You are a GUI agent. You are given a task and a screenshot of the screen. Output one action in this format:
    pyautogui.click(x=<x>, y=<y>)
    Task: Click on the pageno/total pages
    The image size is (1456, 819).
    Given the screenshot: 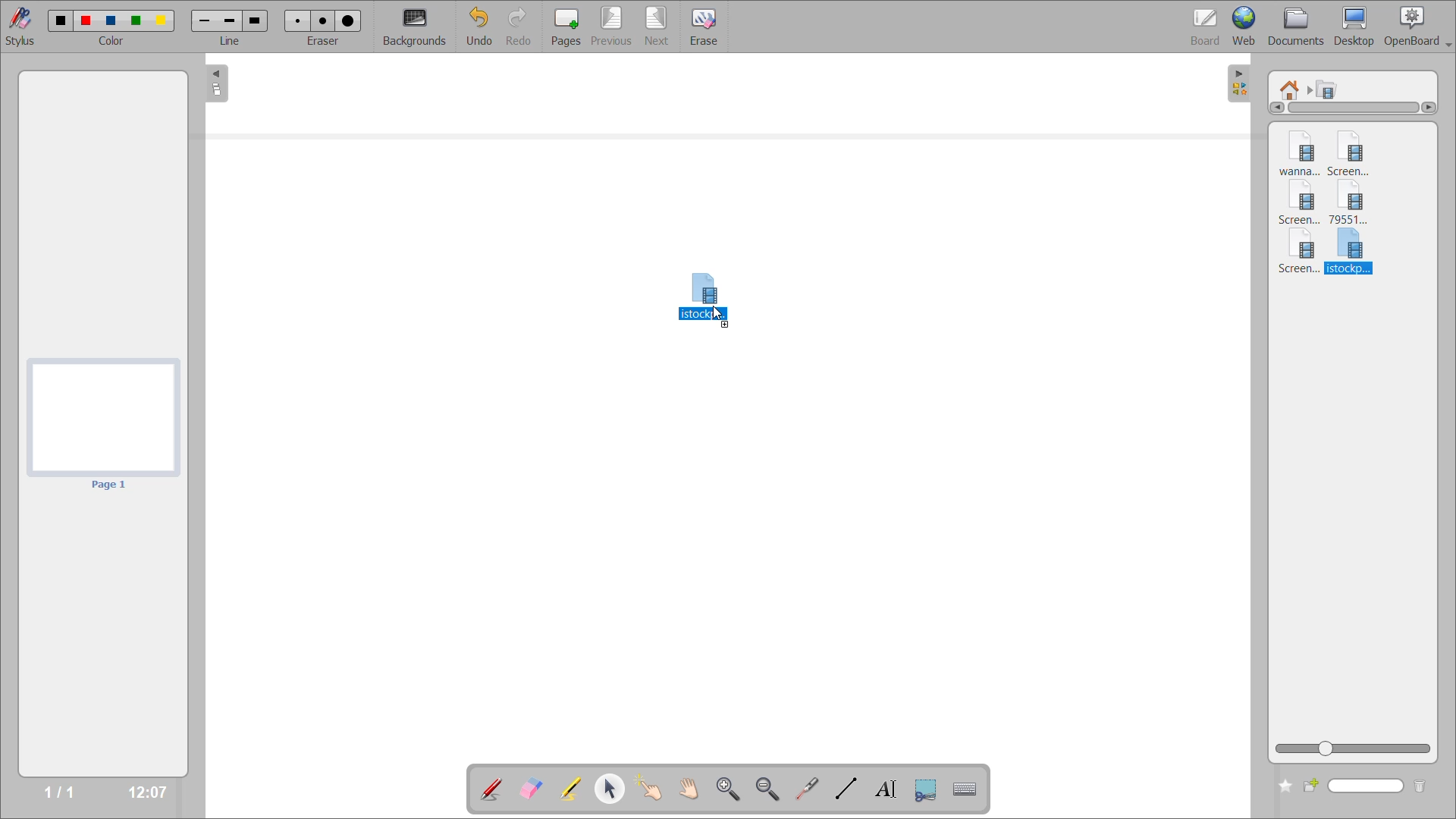 What is the action you would take?
    pyautogui.click(x=54, y=787)
    